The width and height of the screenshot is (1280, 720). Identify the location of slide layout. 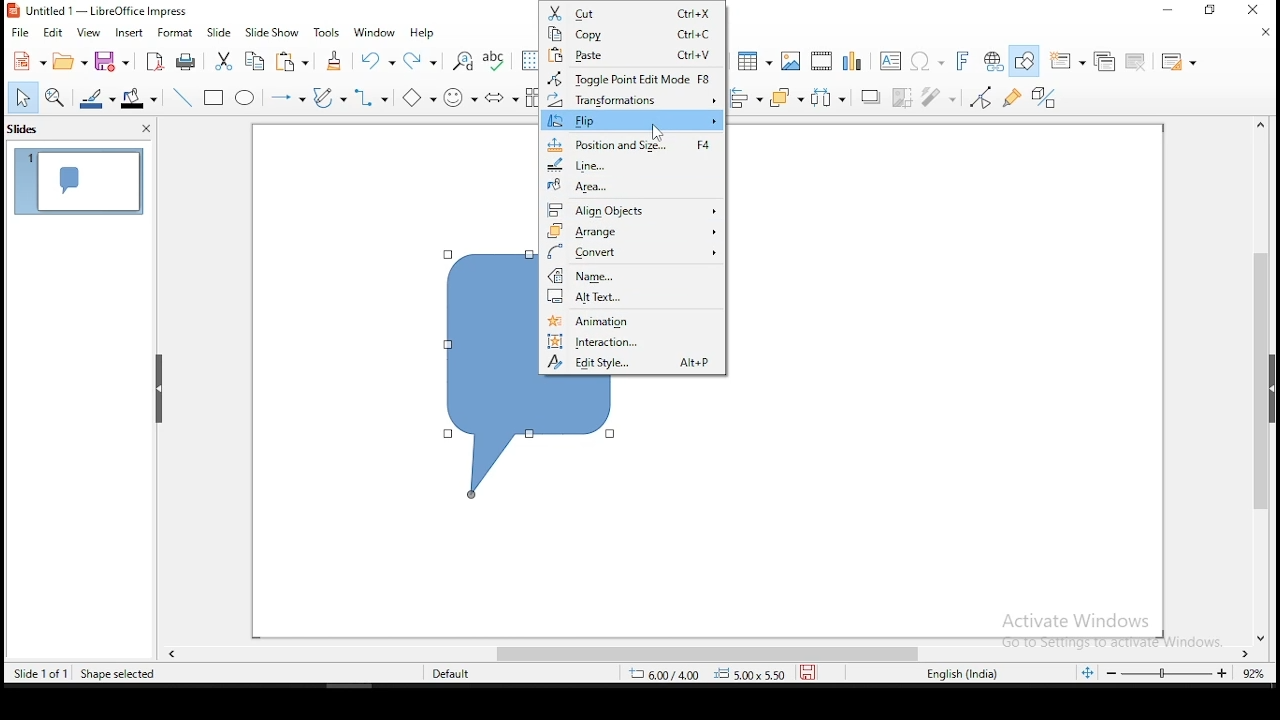
(1175, 59).